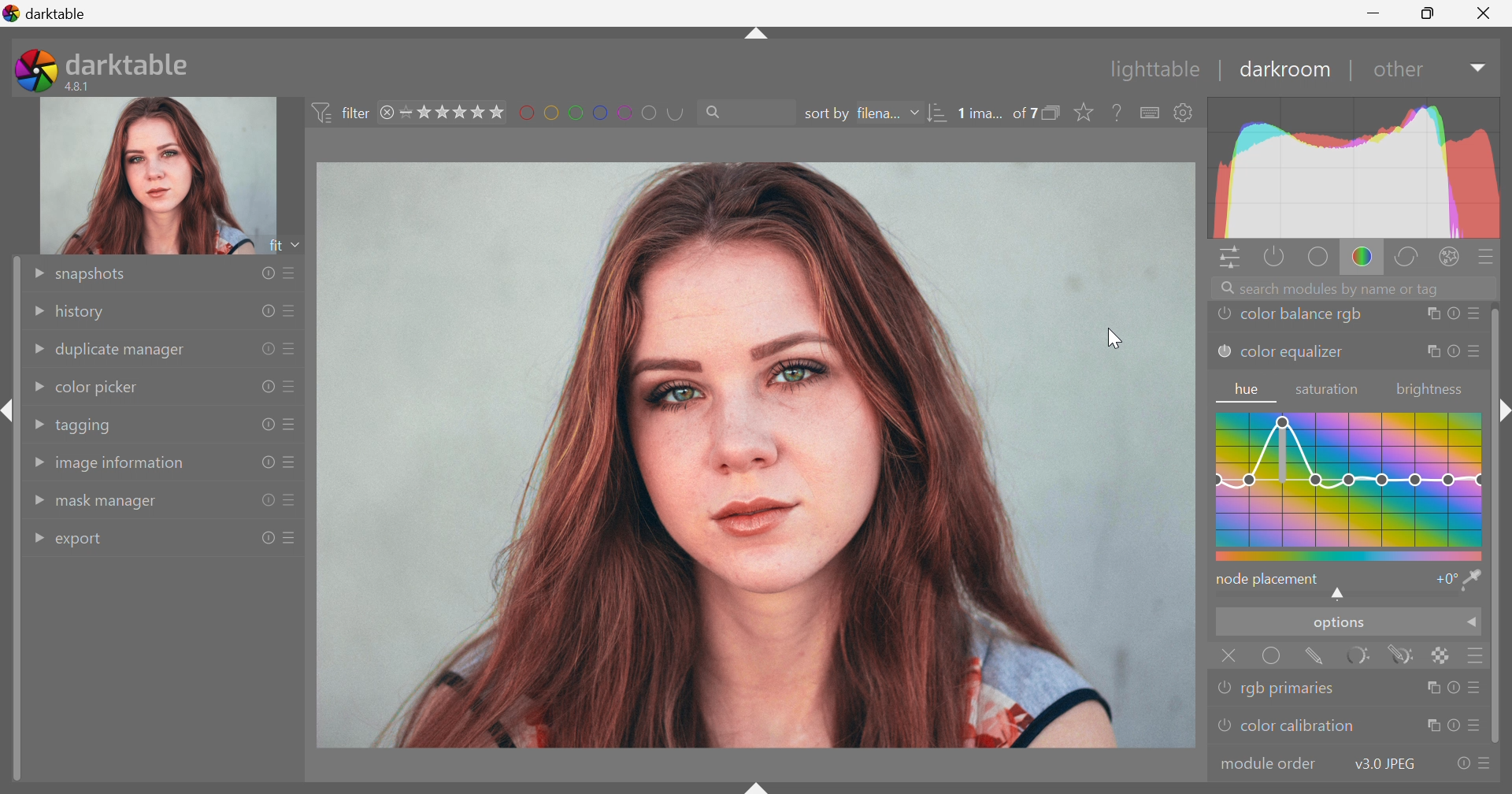  What do you see at coordinates (1431, 315) in the screenshot?
I see `multiple instance actions` at bounding box center [1431, 315].